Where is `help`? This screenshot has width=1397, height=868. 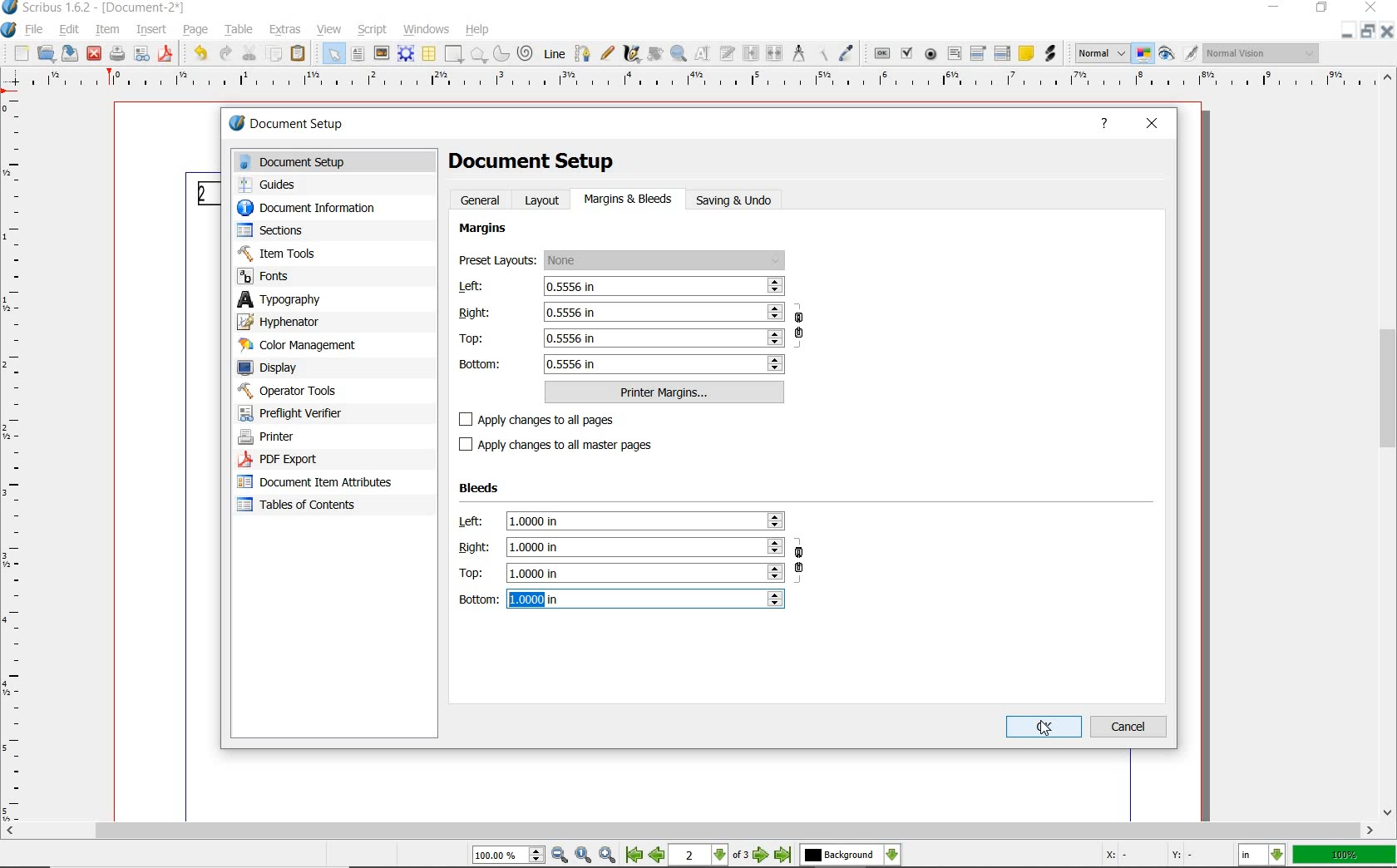
help is located at coordinates (1108, 124).